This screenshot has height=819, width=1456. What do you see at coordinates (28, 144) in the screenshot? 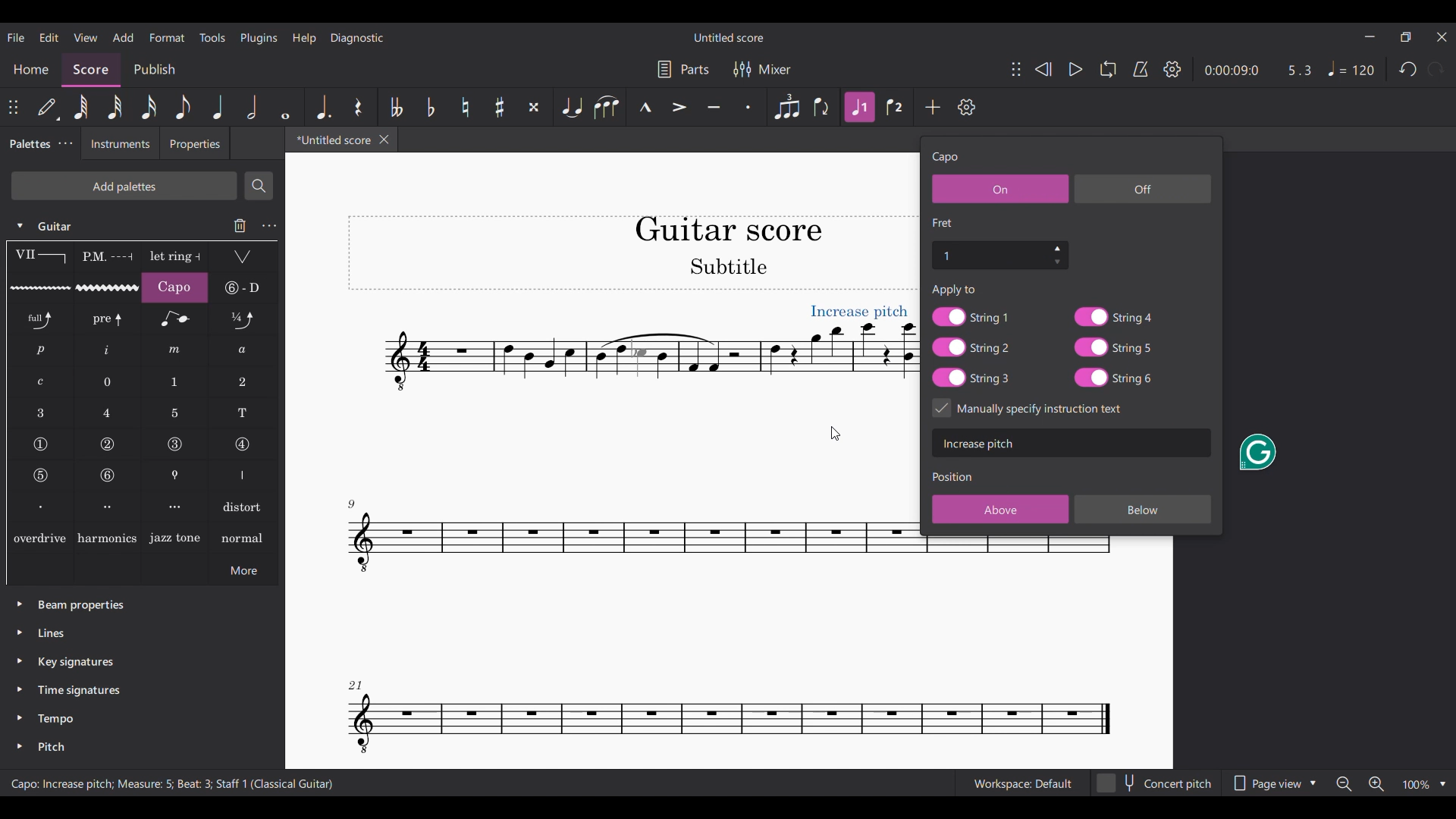
I see `Palettes, current tab` at bounding box center [28, 144].